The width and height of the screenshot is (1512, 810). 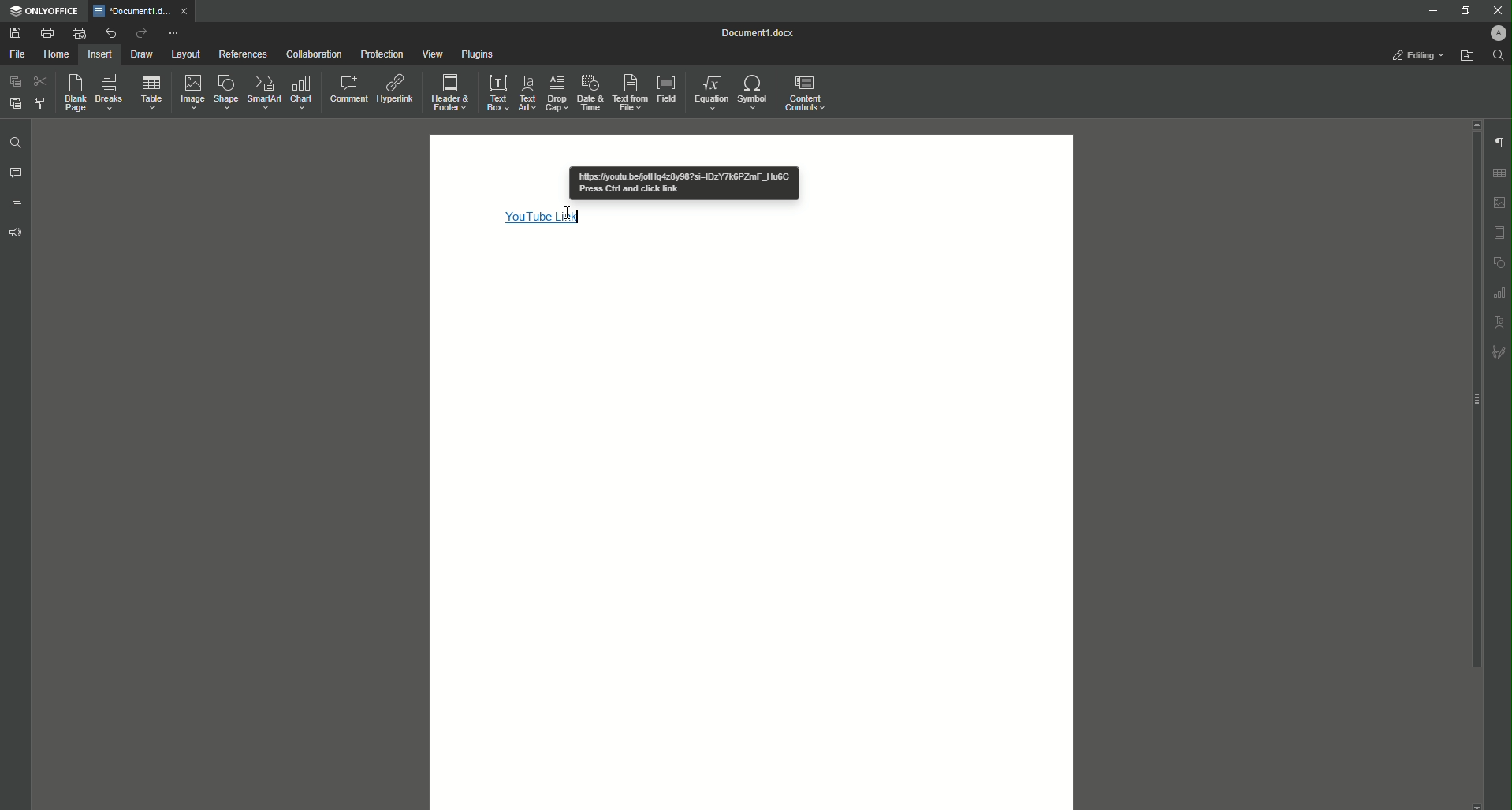 I want to click on Redo, so click(x=140, y=33).